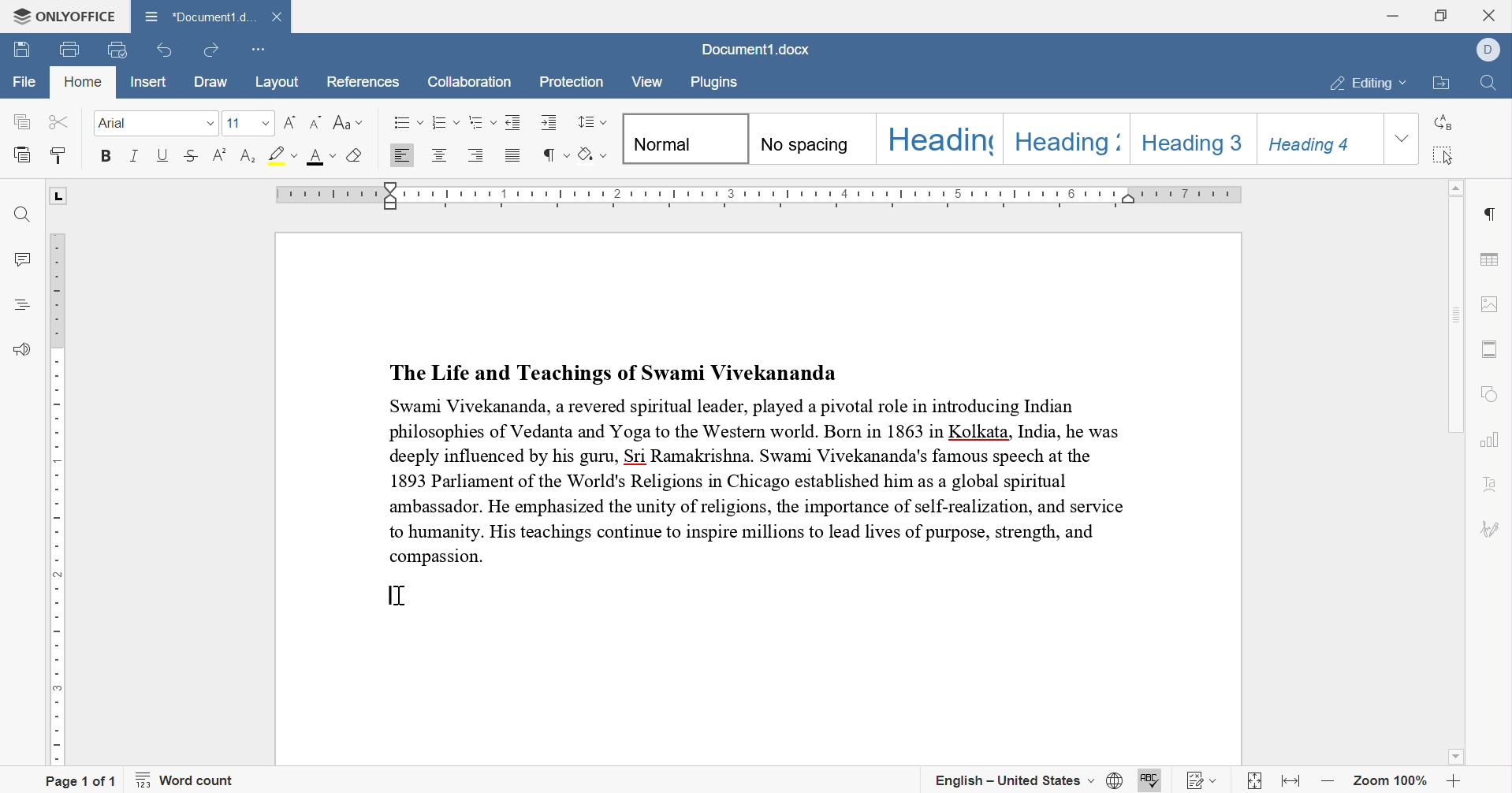  Describe the element at coordinates (1488, 532) in the screenshot. I see `signature settings` at that location.